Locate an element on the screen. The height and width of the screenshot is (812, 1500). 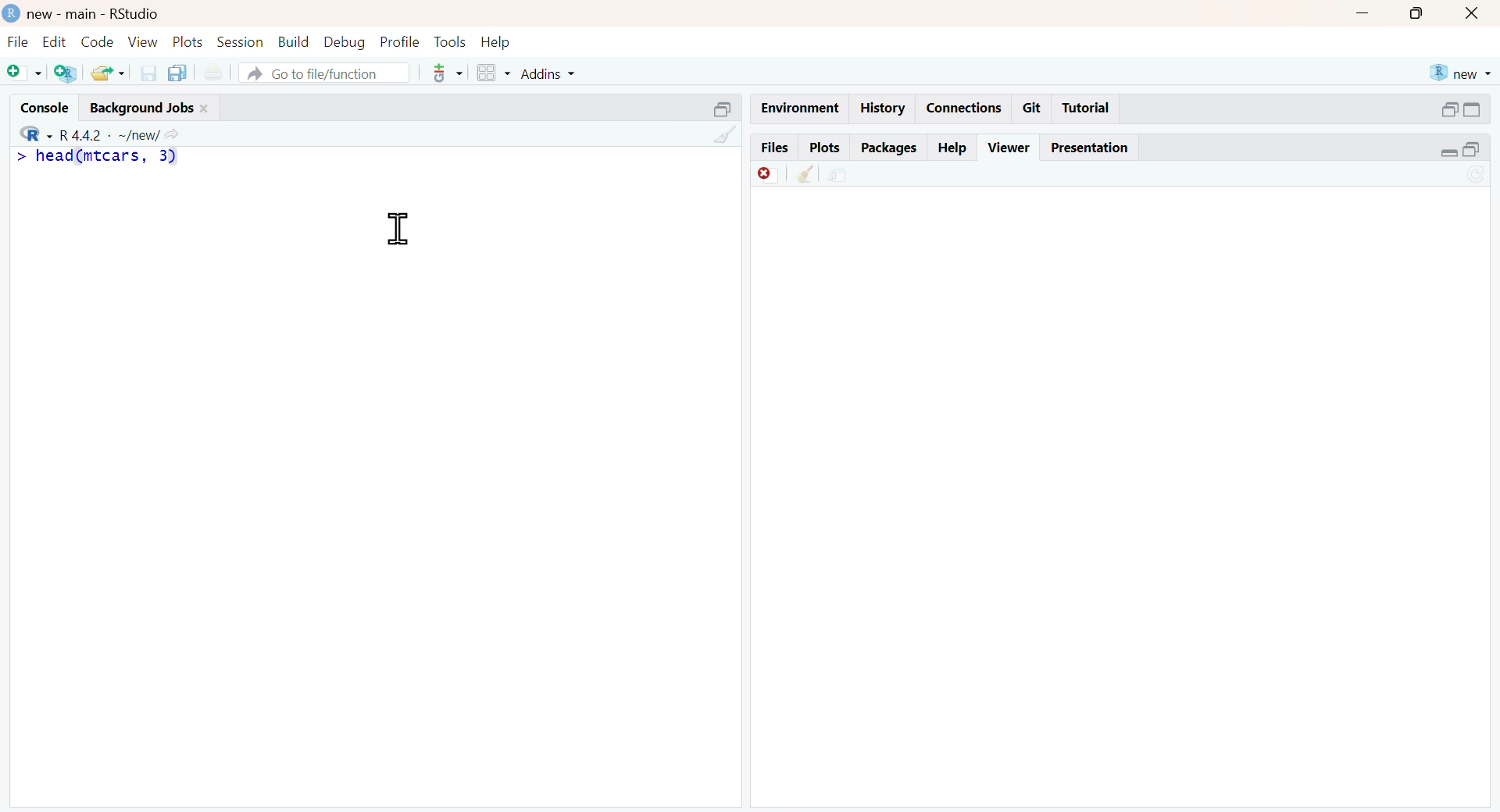
Background Jobs is located at coordinates (163, 105).